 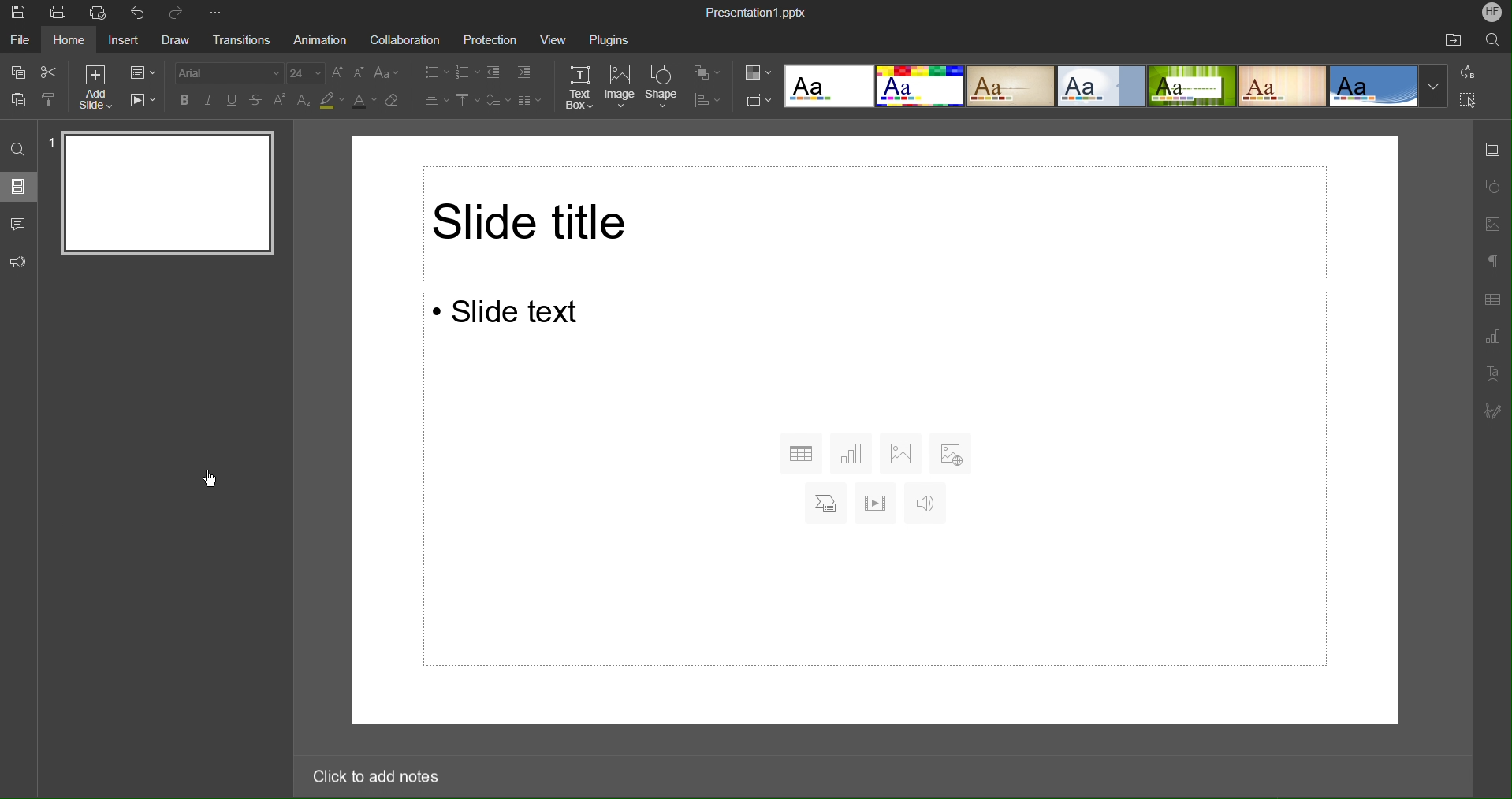 What do you see at coordinates (1119, 86) in the screenshot?
I see `Templates` at bounding box center [1119, 86].